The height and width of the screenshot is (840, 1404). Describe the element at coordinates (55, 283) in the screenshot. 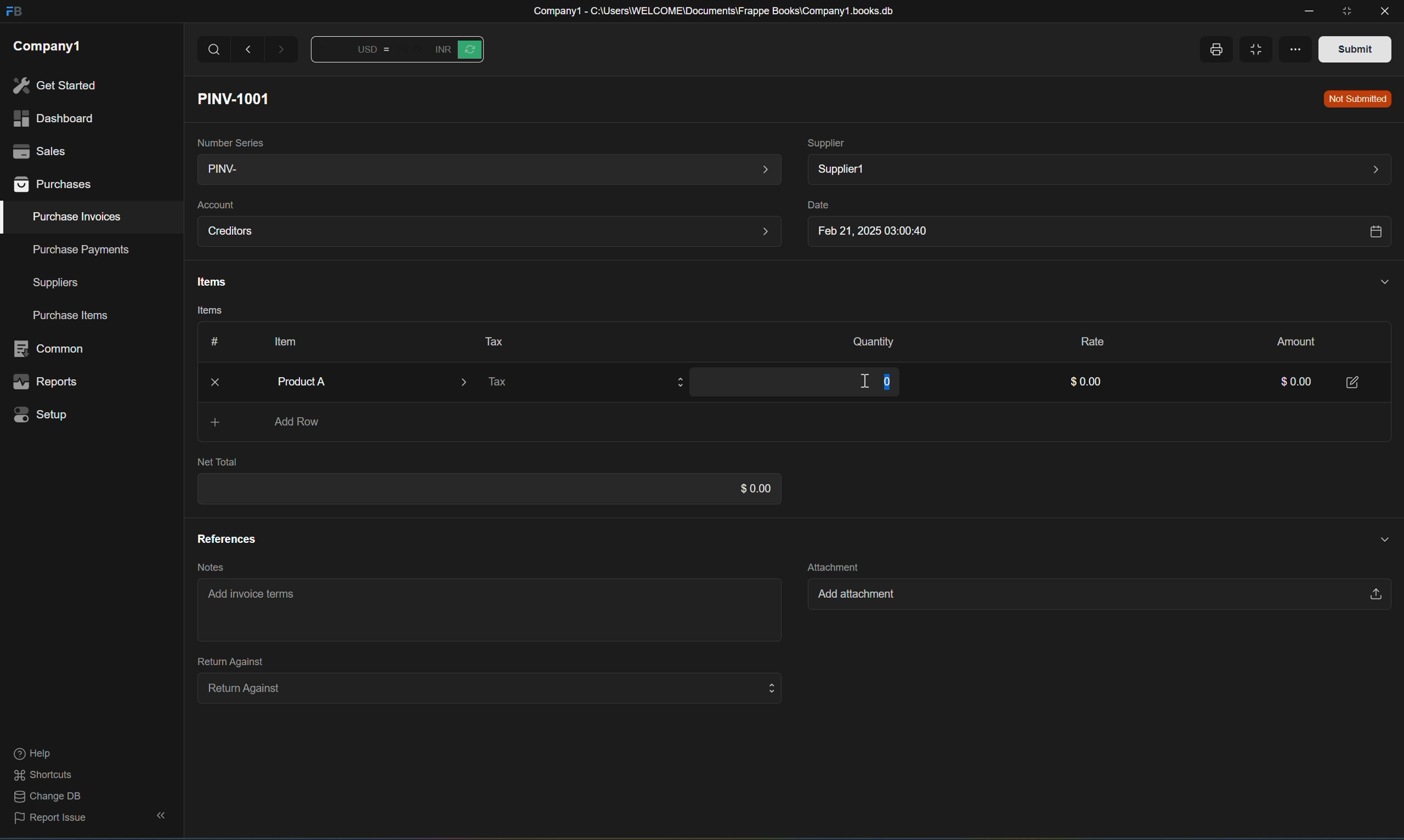

I see `suppliers` at that location.